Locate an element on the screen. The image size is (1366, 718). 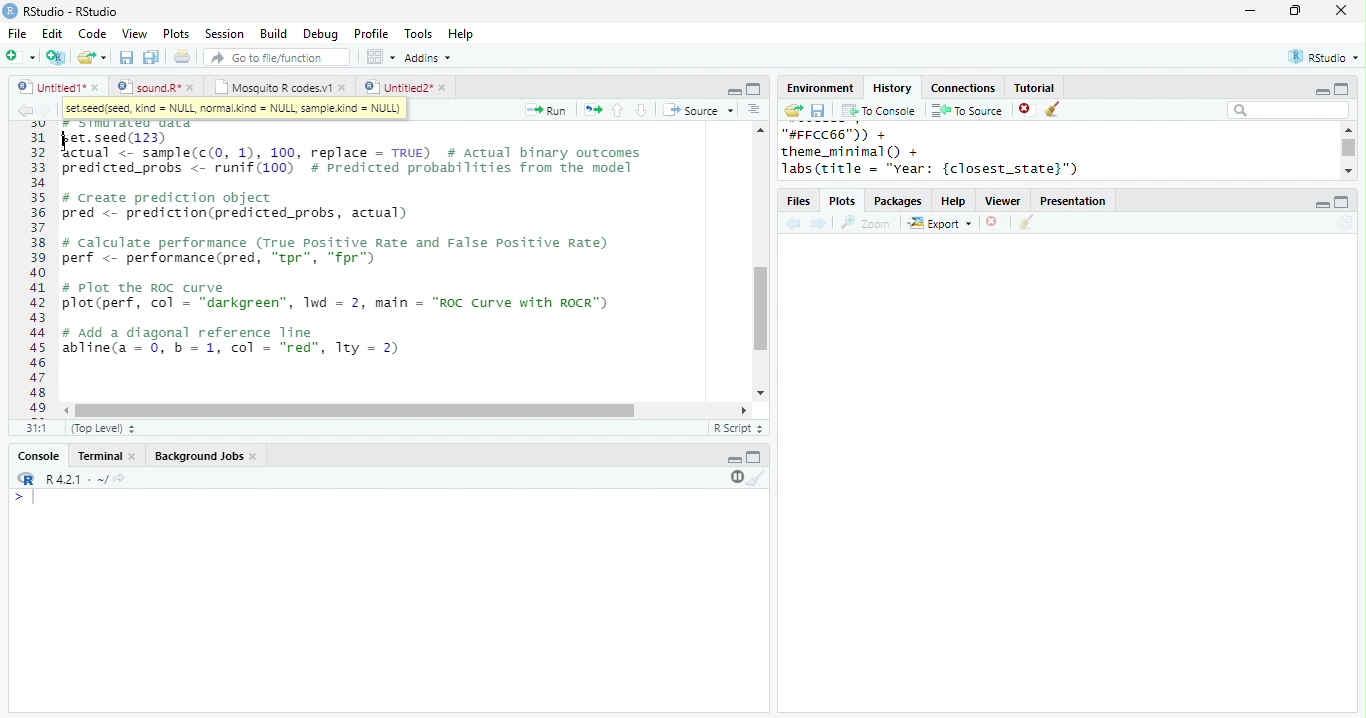
RStudio-RStudio is located at coordinates (75, 12).